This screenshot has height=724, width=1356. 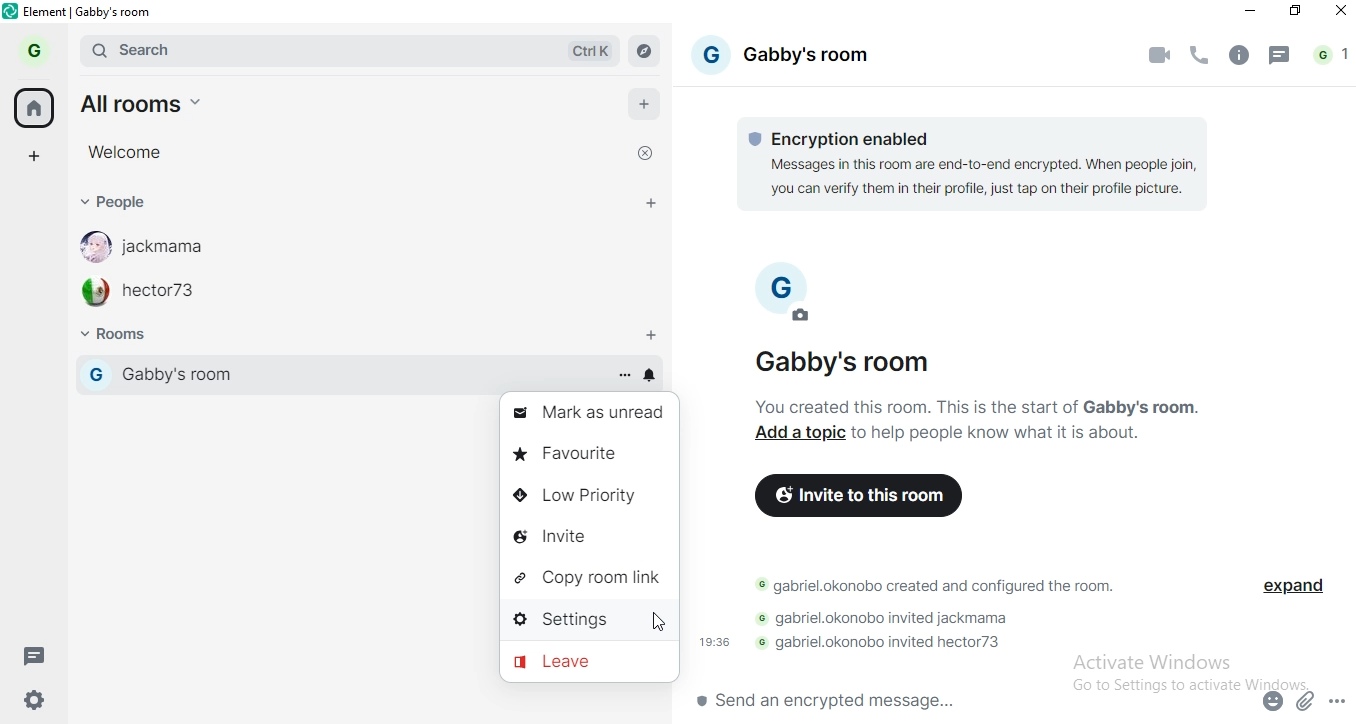 What do you see at coordinates (1340, 697) in the screenshot?
I see `` at bounding box center [1340, 697].